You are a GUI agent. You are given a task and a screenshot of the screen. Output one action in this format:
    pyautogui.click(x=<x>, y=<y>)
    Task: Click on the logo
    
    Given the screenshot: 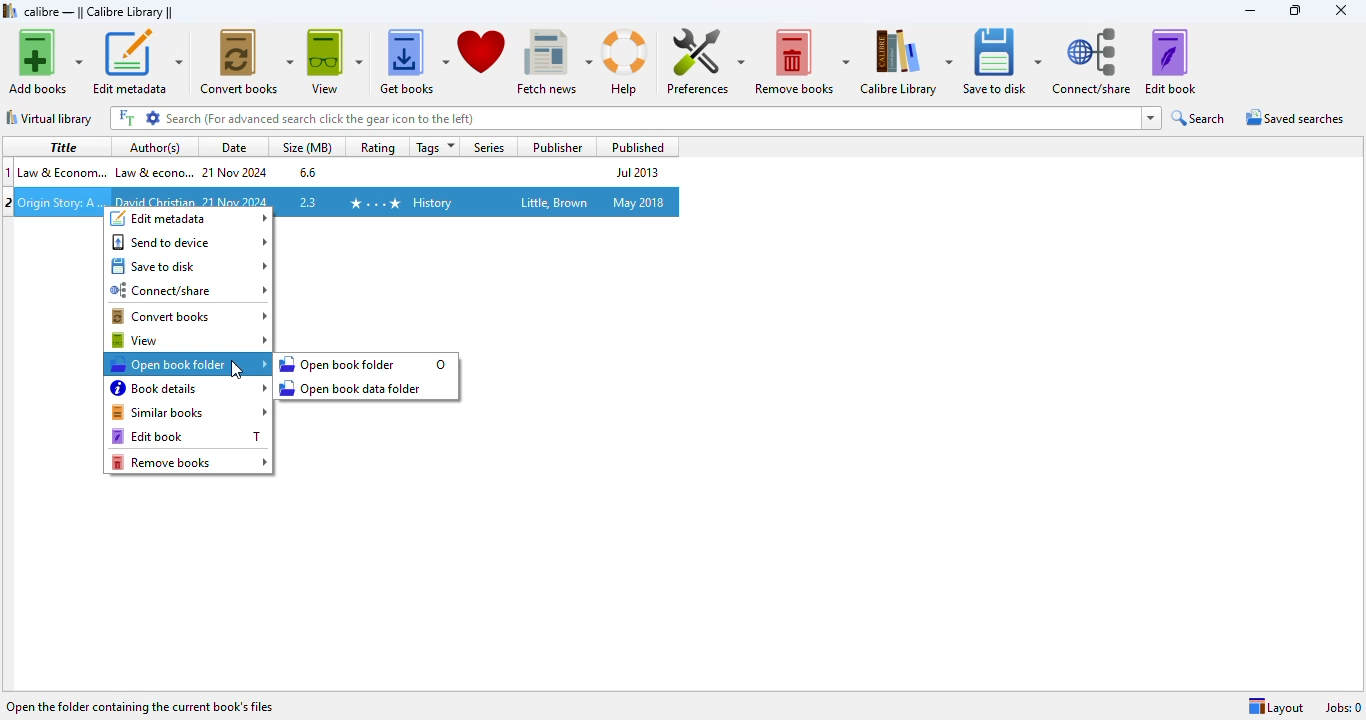 What is the action you would take?
    pyautogui.click(x=10, y=10)
    